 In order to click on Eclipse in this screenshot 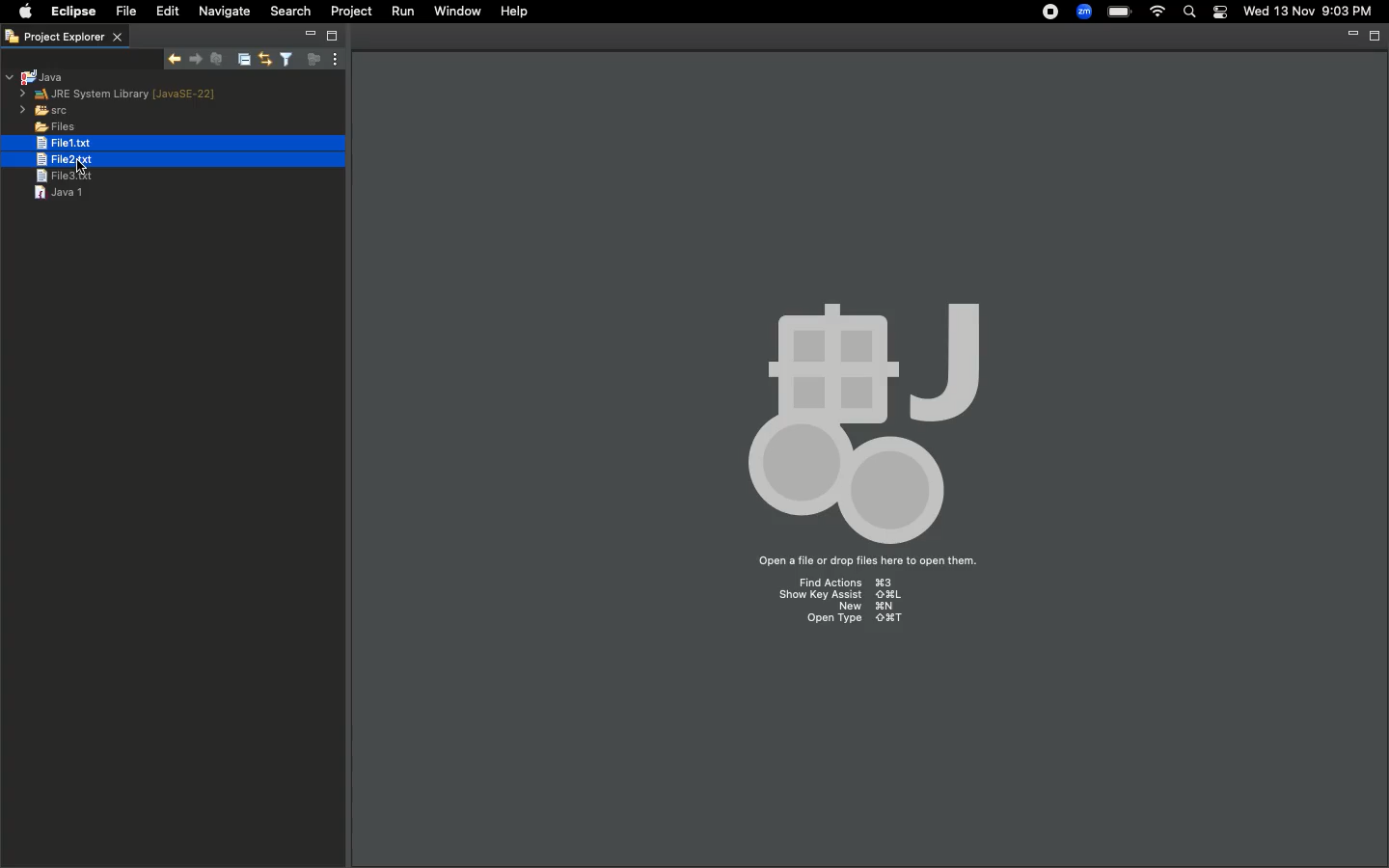, I will do `click(70, 12)`.